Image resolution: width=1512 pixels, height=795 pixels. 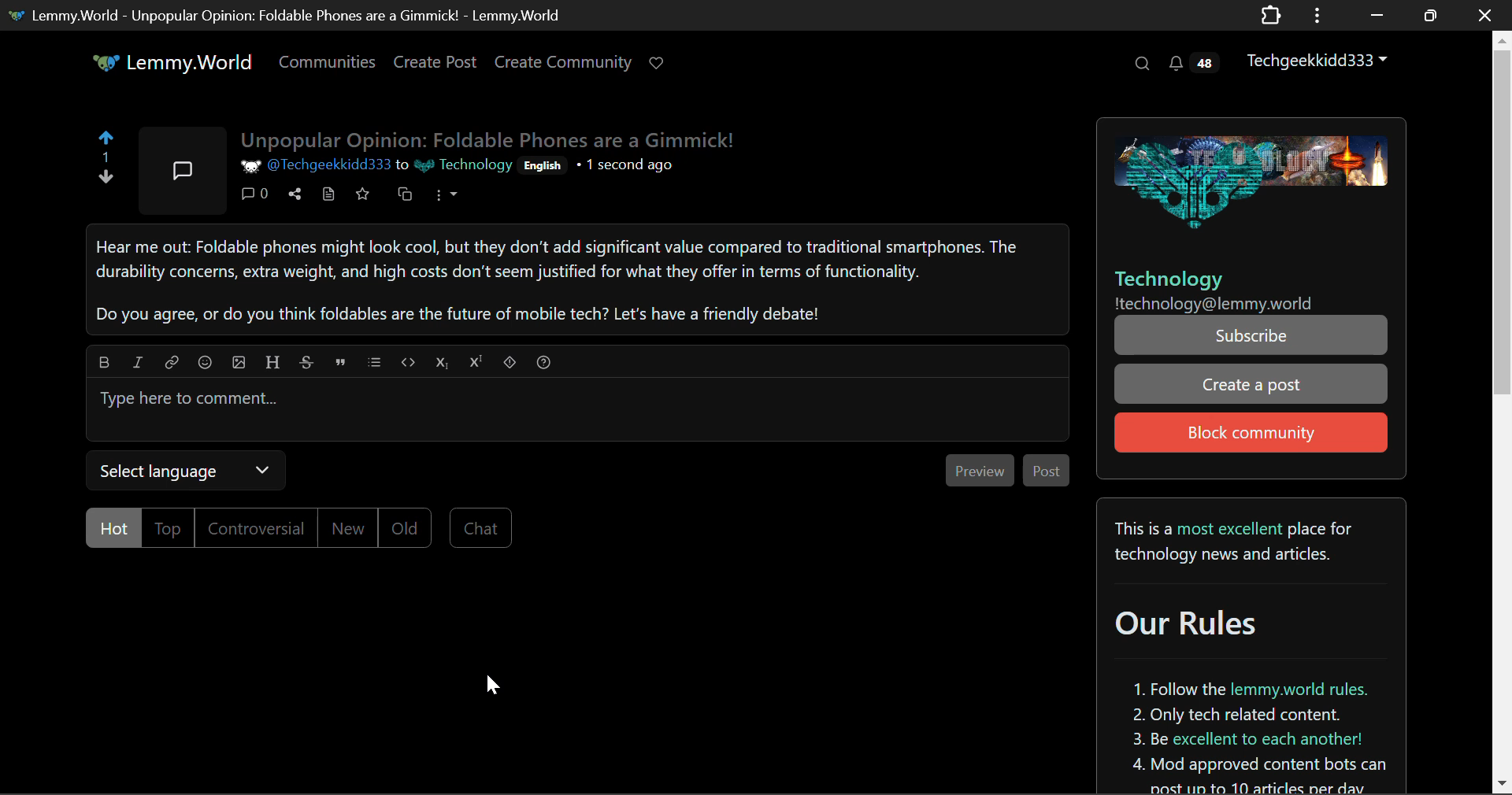 What do you see at coordinates (563, 65) in the screenshot?
I see `Create Community` at bounding box center [563, 65].